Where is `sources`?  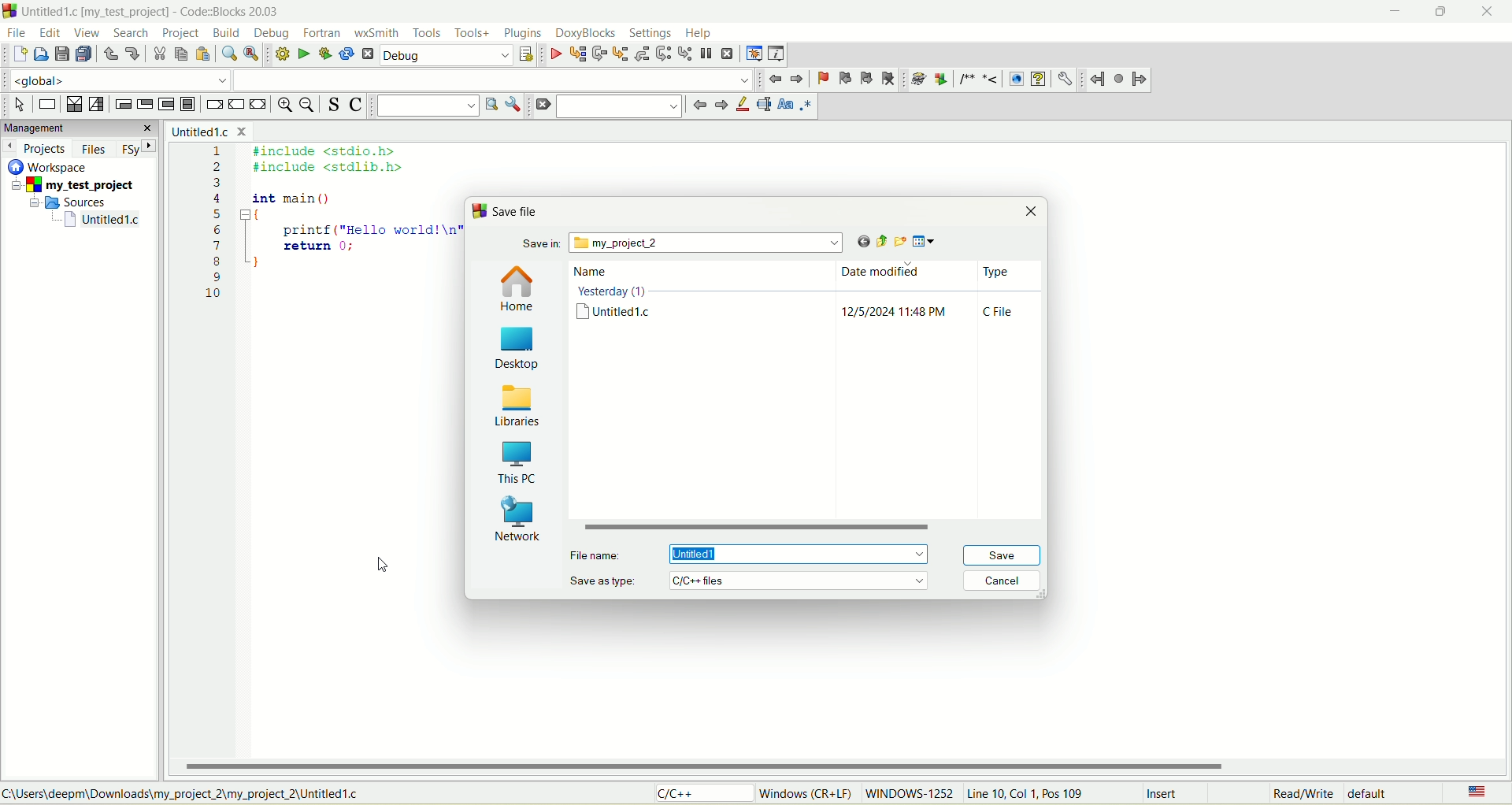
sources is located at coordinates (73, 202).